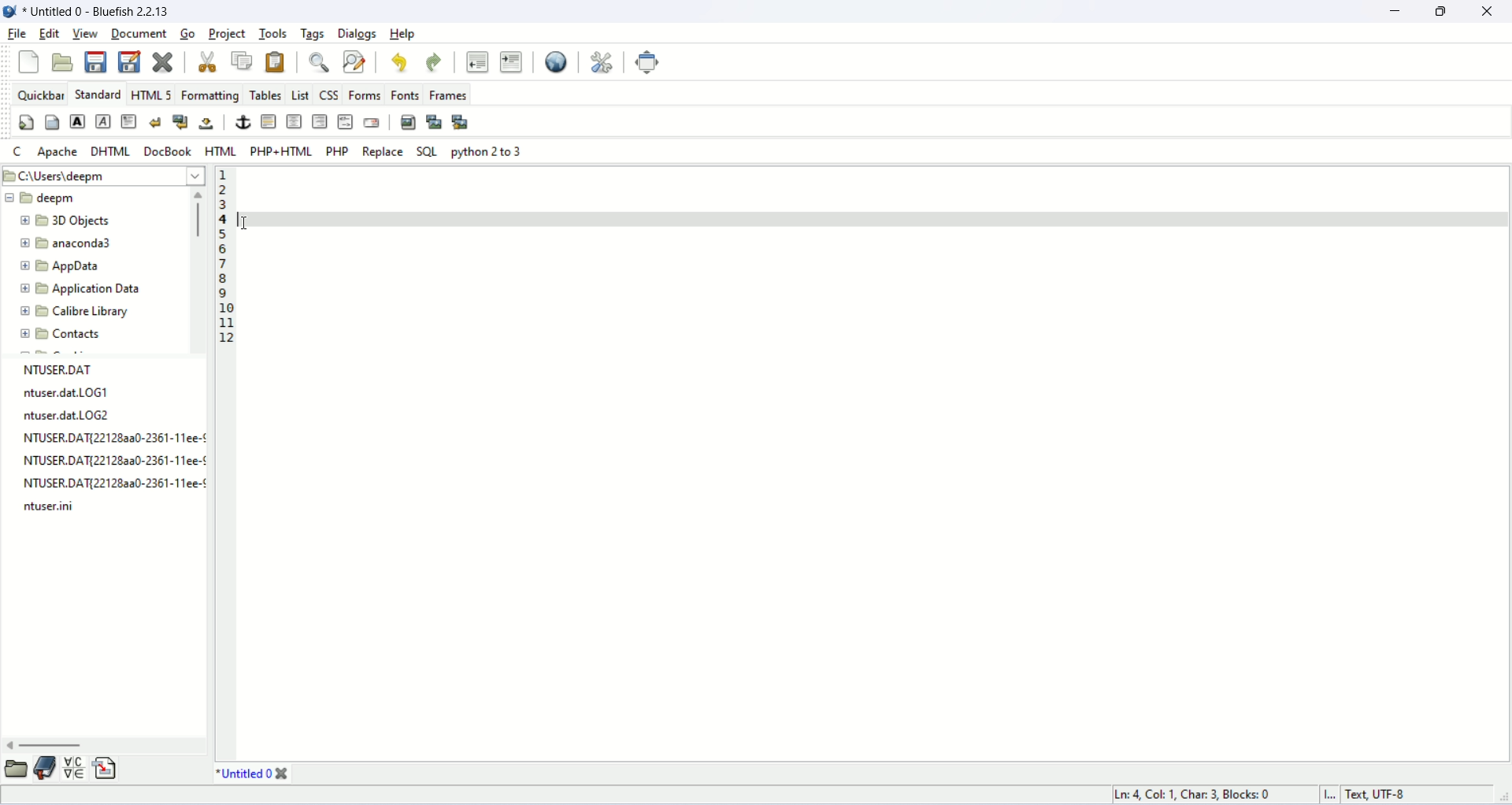  What do you see at coordinates (47, 769) in the screenshot?
I see `bookmarks` at bounding box center [47, 769].